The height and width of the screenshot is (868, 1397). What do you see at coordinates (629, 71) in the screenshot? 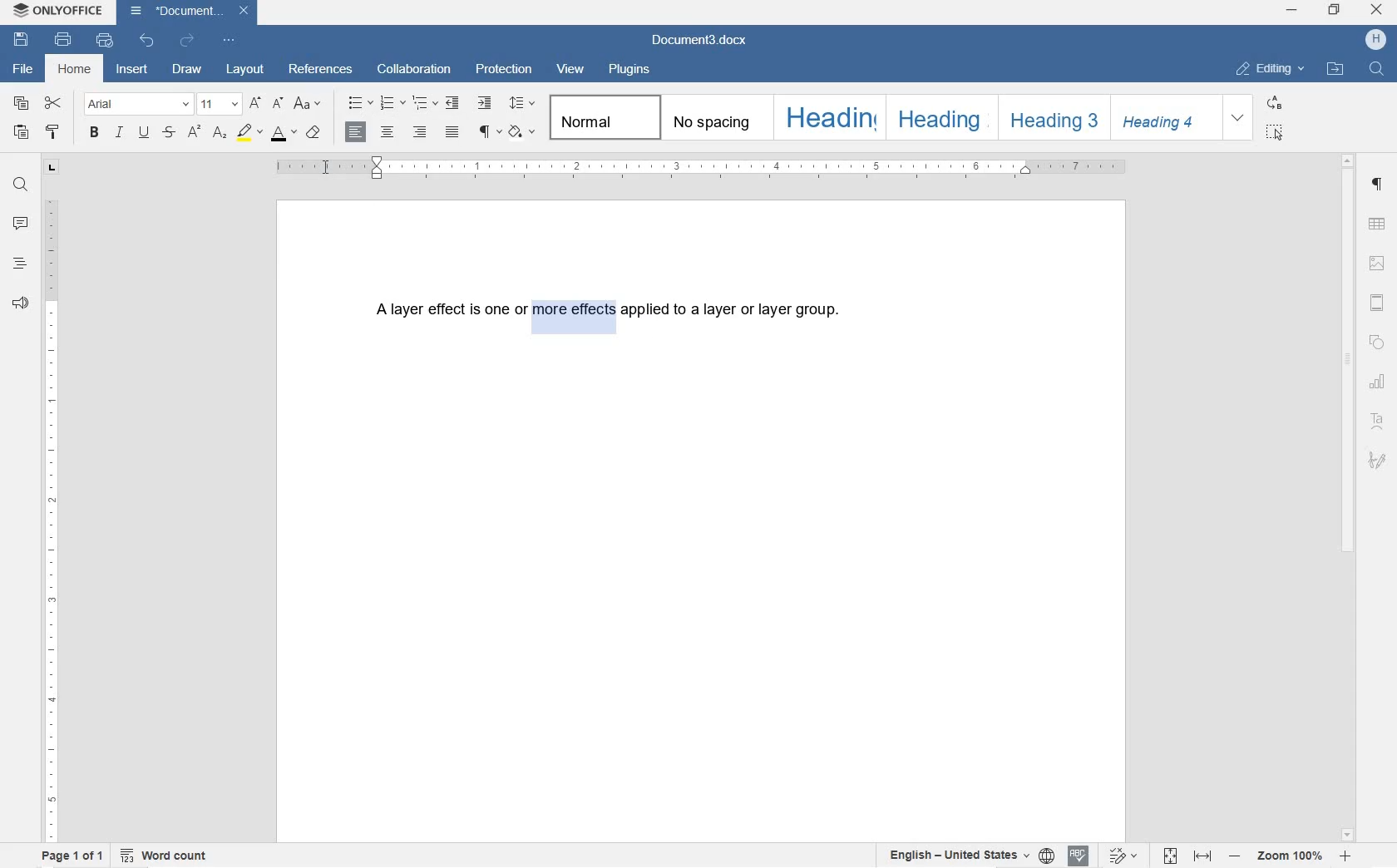
I see `PLUGINS` at bounding box center [629, 71].